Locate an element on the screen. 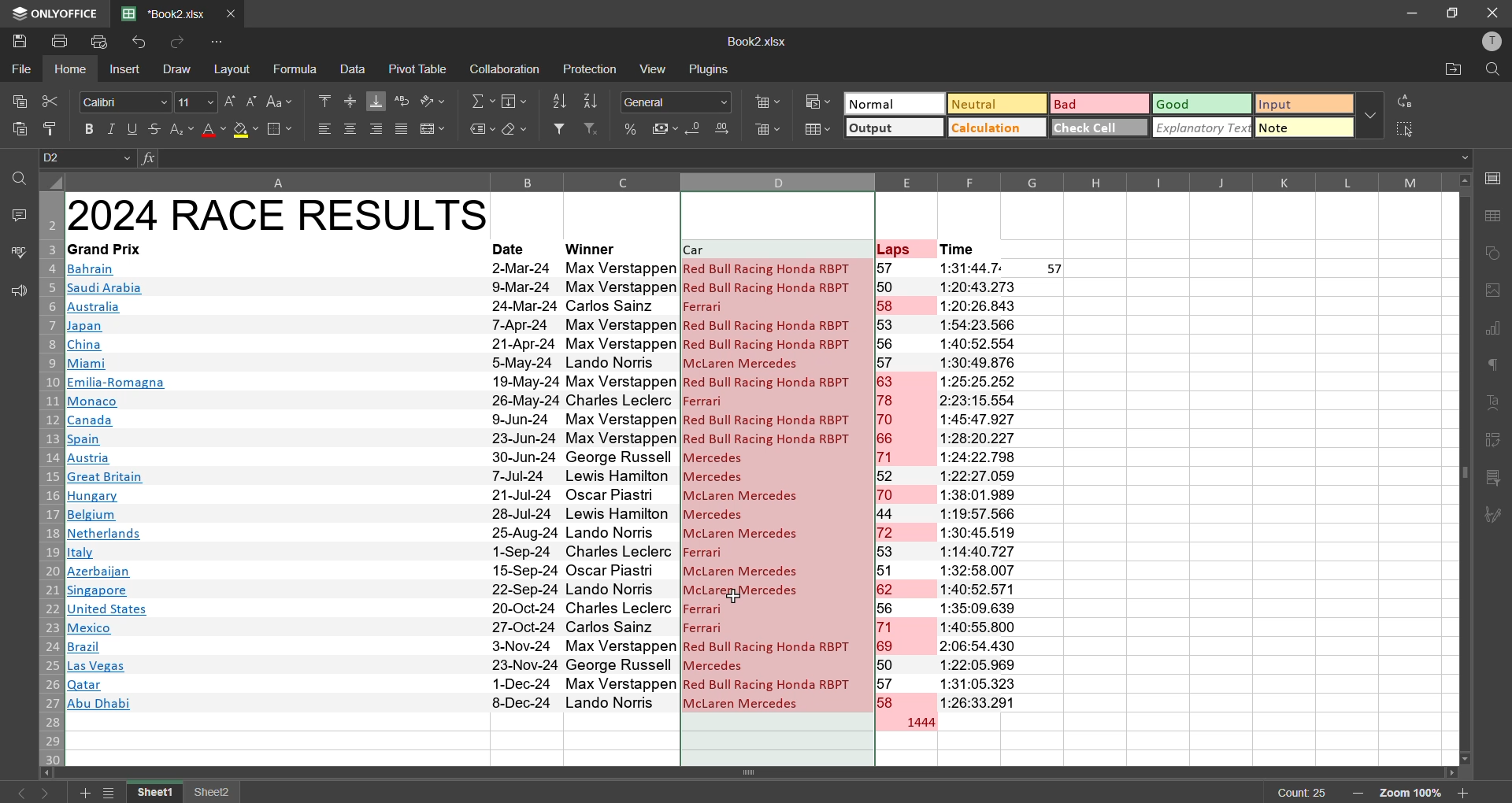 Image resolution: width=1512 pixels, height=803 pixels. text is located at coordinates (1495, 404).